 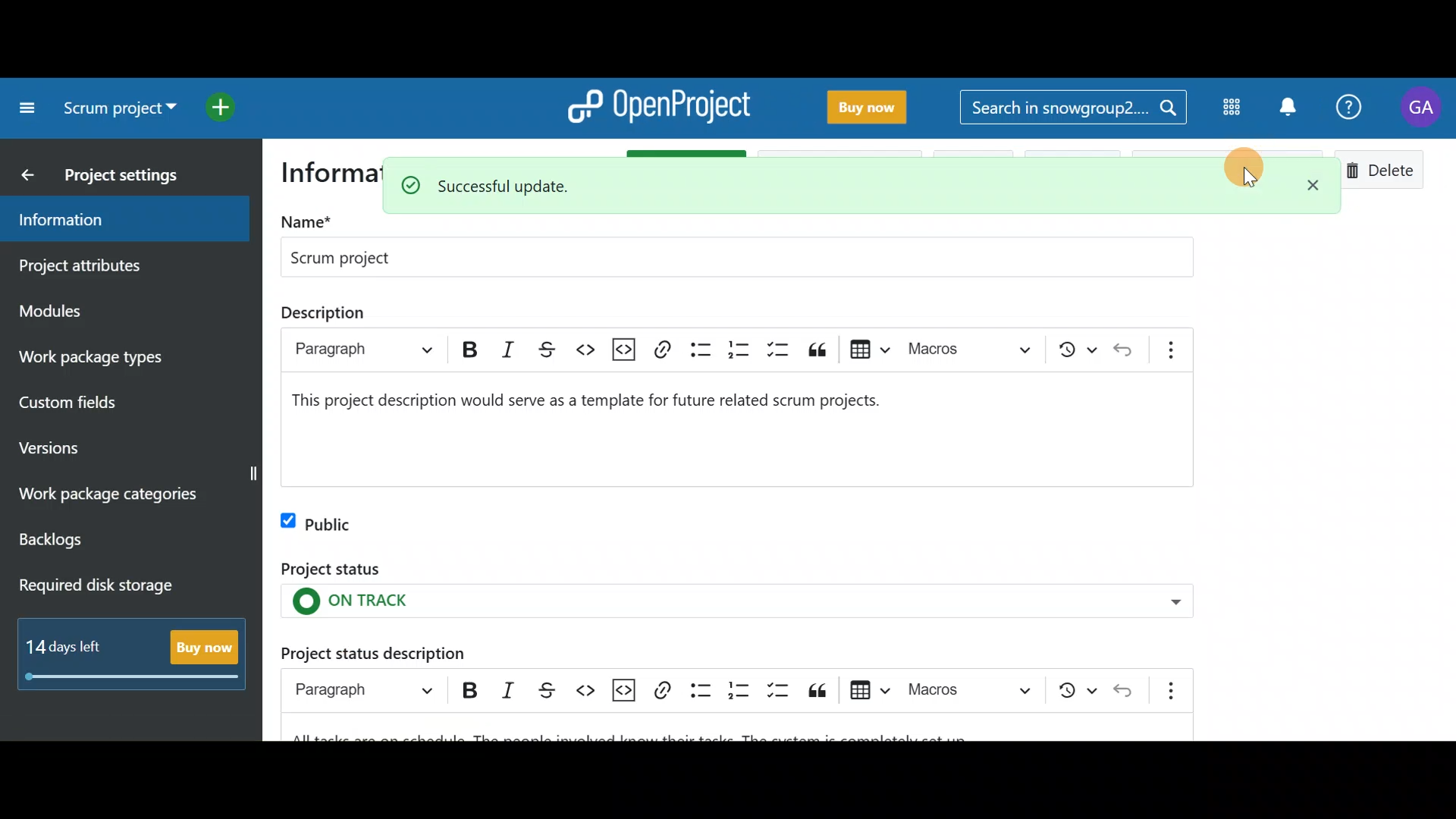 I want to click on code, so click(x=585, y=350).